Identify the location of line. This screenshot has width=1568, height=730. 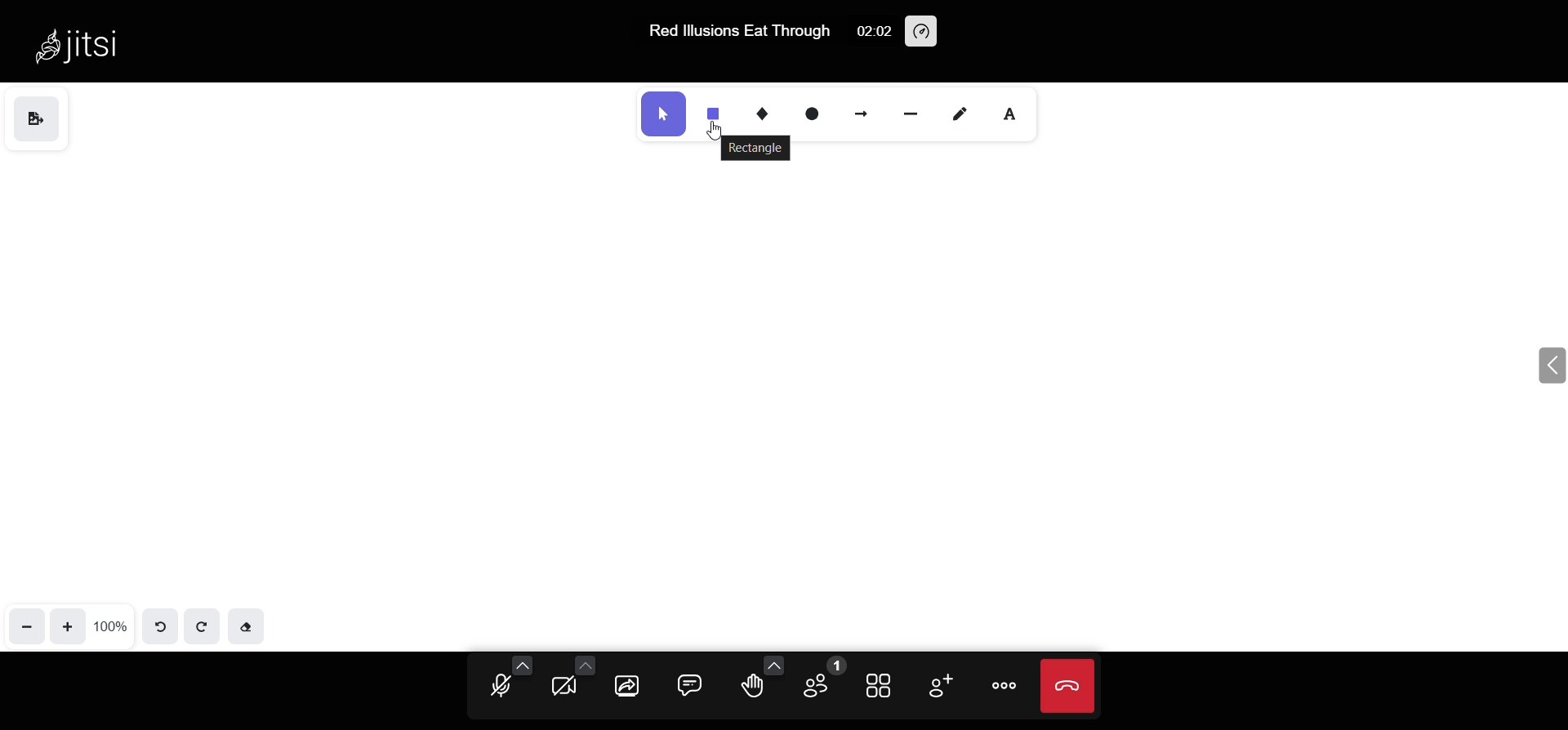
(911, 111).